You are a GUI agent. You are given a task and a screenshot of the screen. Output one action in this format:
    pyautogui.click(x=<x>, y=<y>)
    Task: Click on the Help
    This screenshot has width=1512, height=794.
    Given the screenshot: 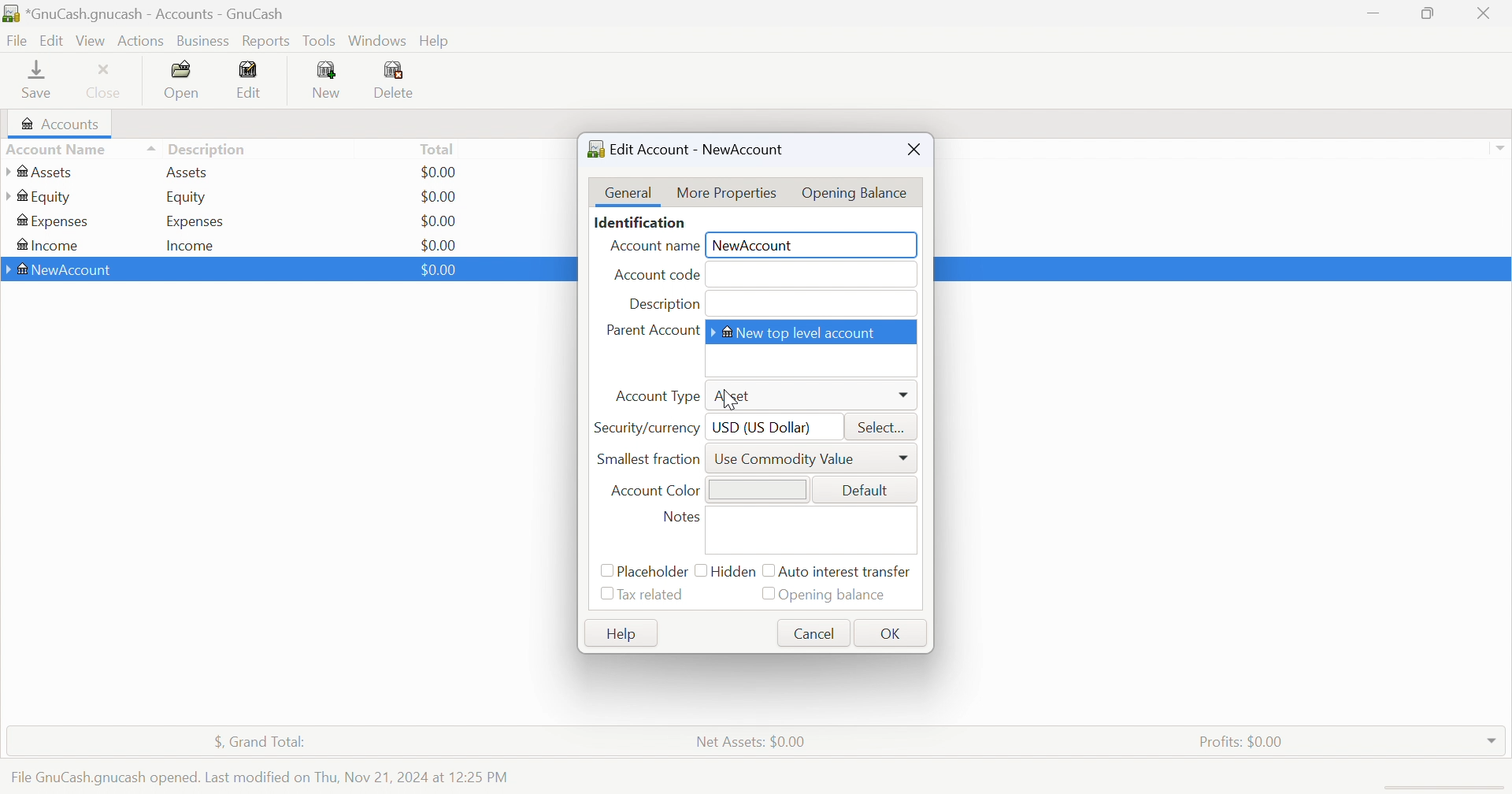 What is the action you would take?
    pyautogui.click(x=439, y=41)
    